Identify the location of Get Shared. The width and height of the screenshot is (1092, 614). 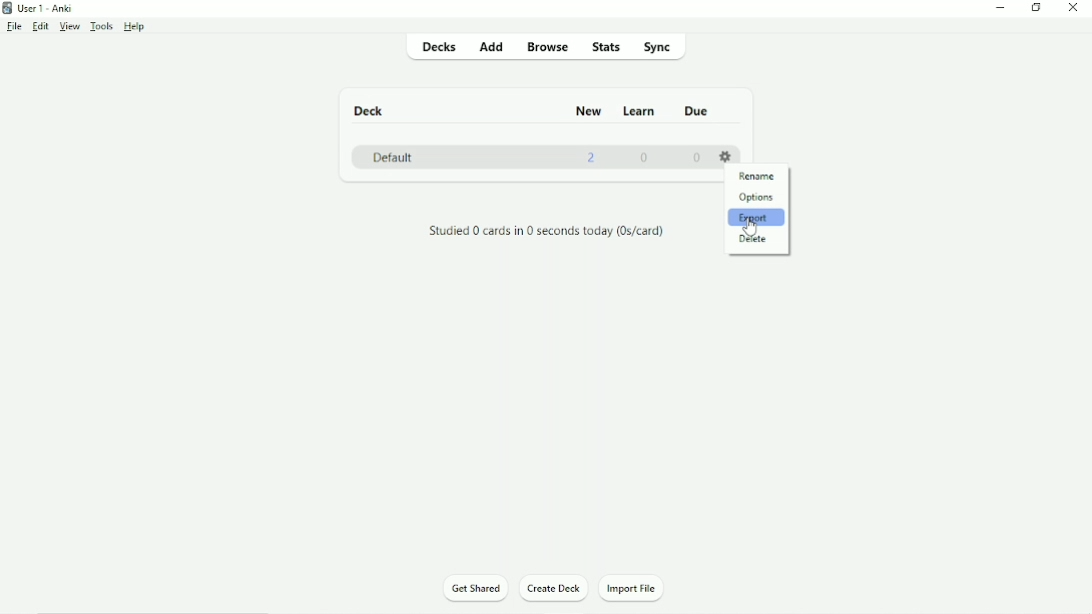
(476, 588).